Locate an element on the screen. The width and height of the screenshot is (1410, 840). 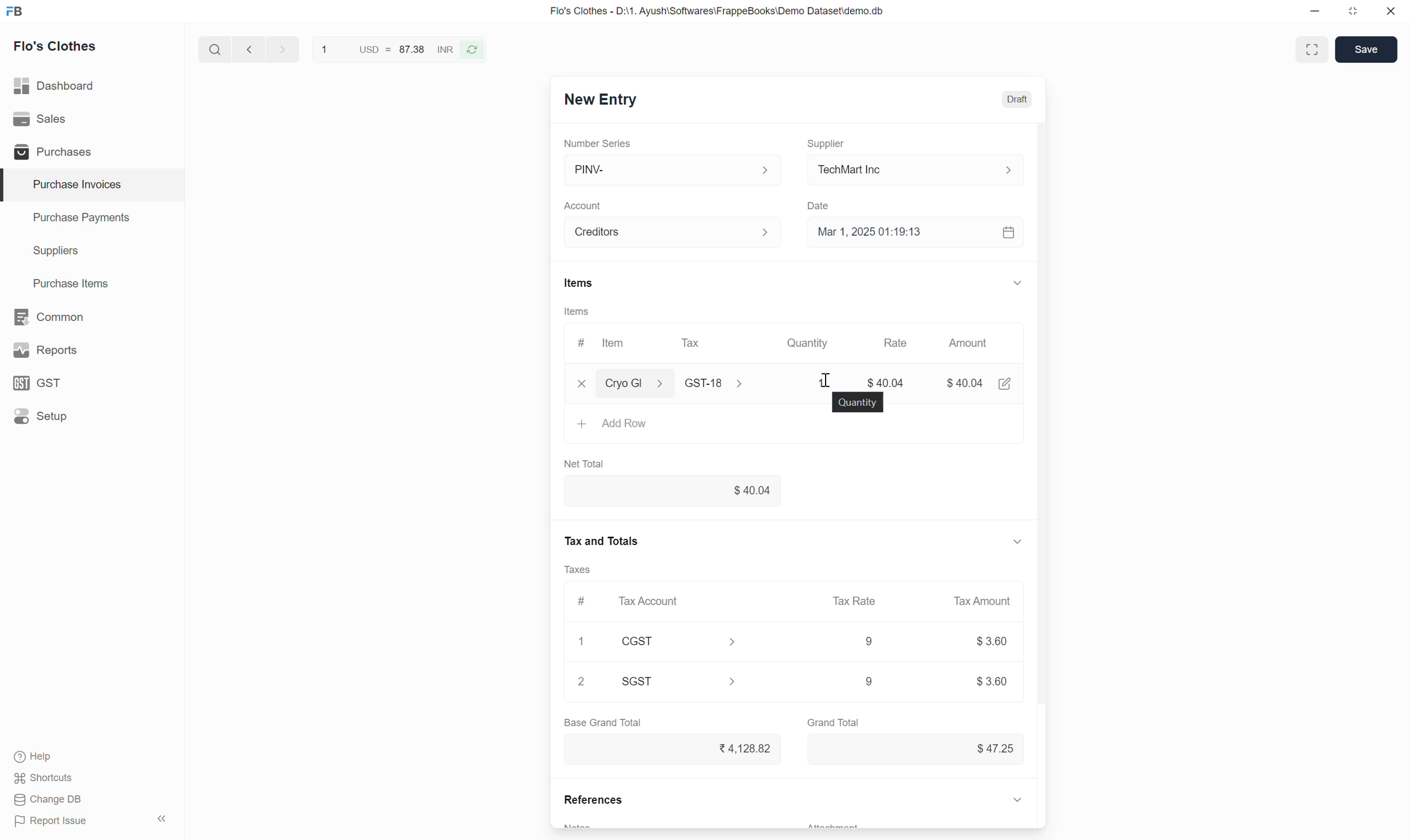
expand is located at coordinates (1014, 541).